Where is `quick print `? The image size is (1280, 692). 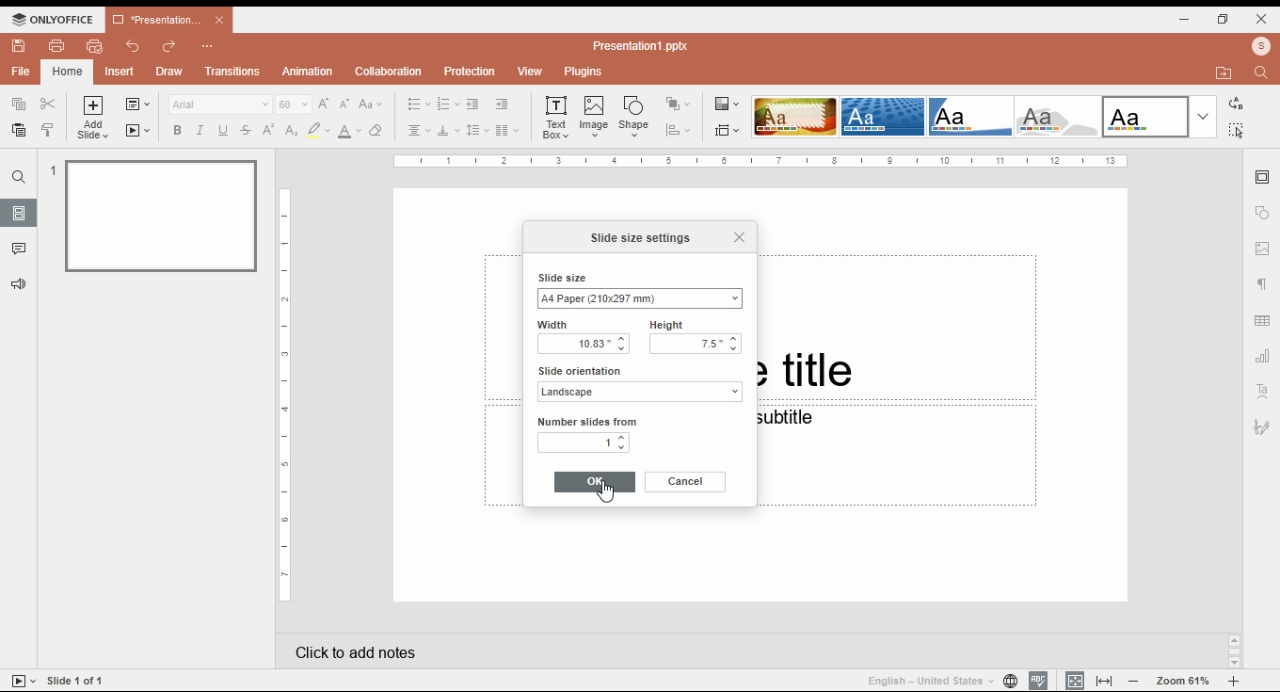 quick print  is located at coordinates (95, 46).